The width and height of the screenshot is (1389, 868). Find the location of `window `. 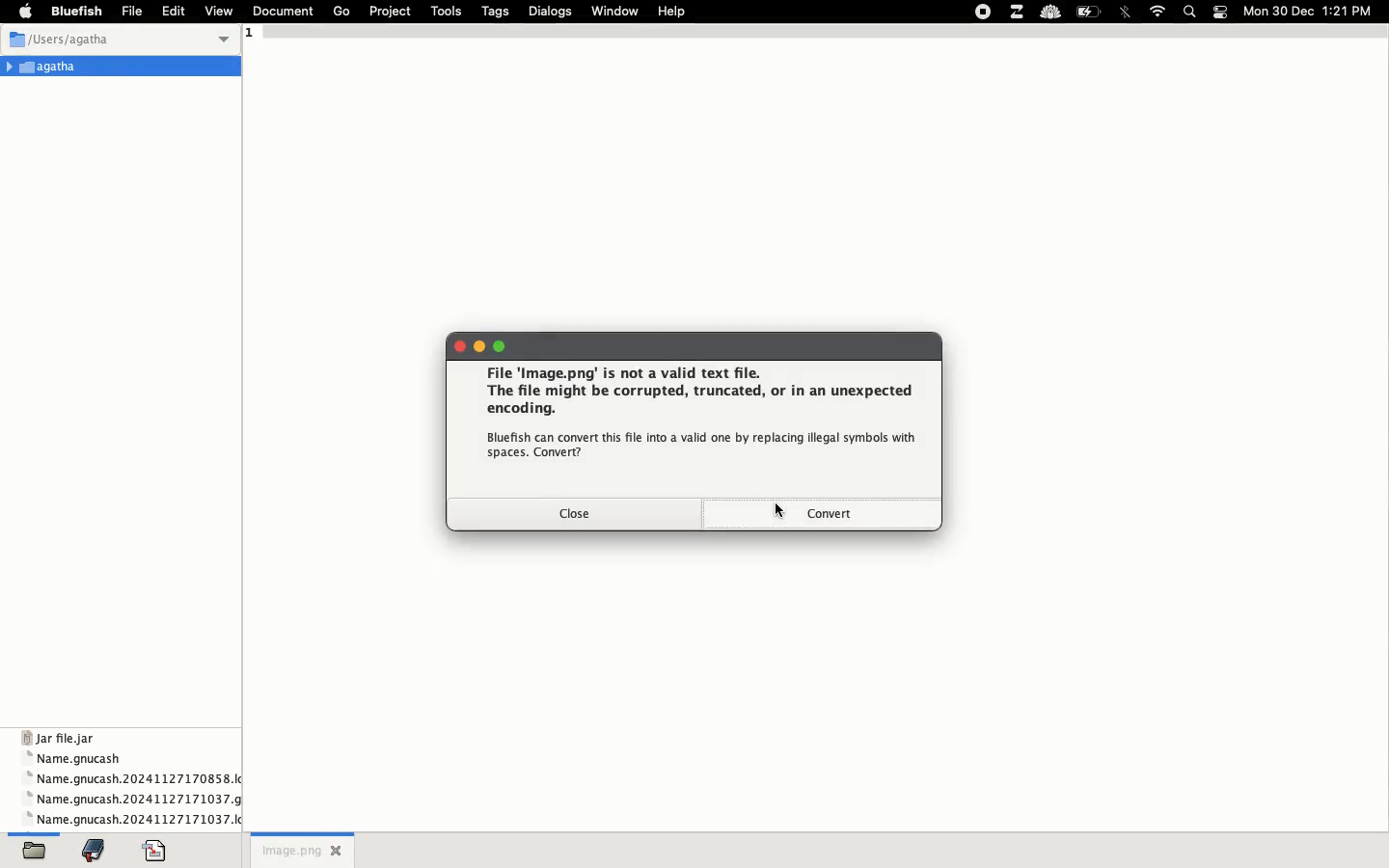

window  is located at coordinates (613, 11).